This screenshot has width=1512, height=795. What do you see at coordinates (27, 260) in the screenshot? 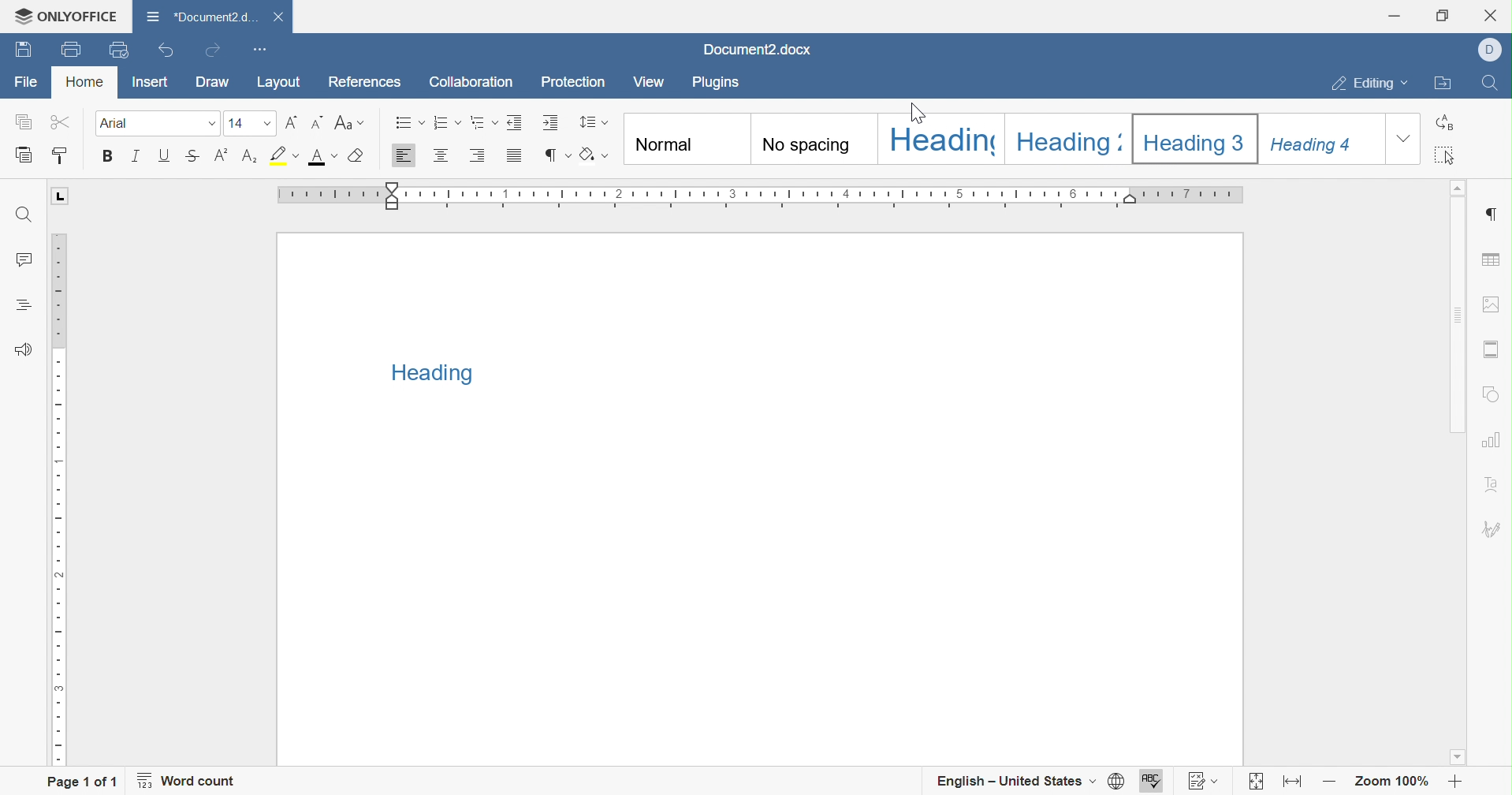
I see `Comments` at bounding box center [27, 260].